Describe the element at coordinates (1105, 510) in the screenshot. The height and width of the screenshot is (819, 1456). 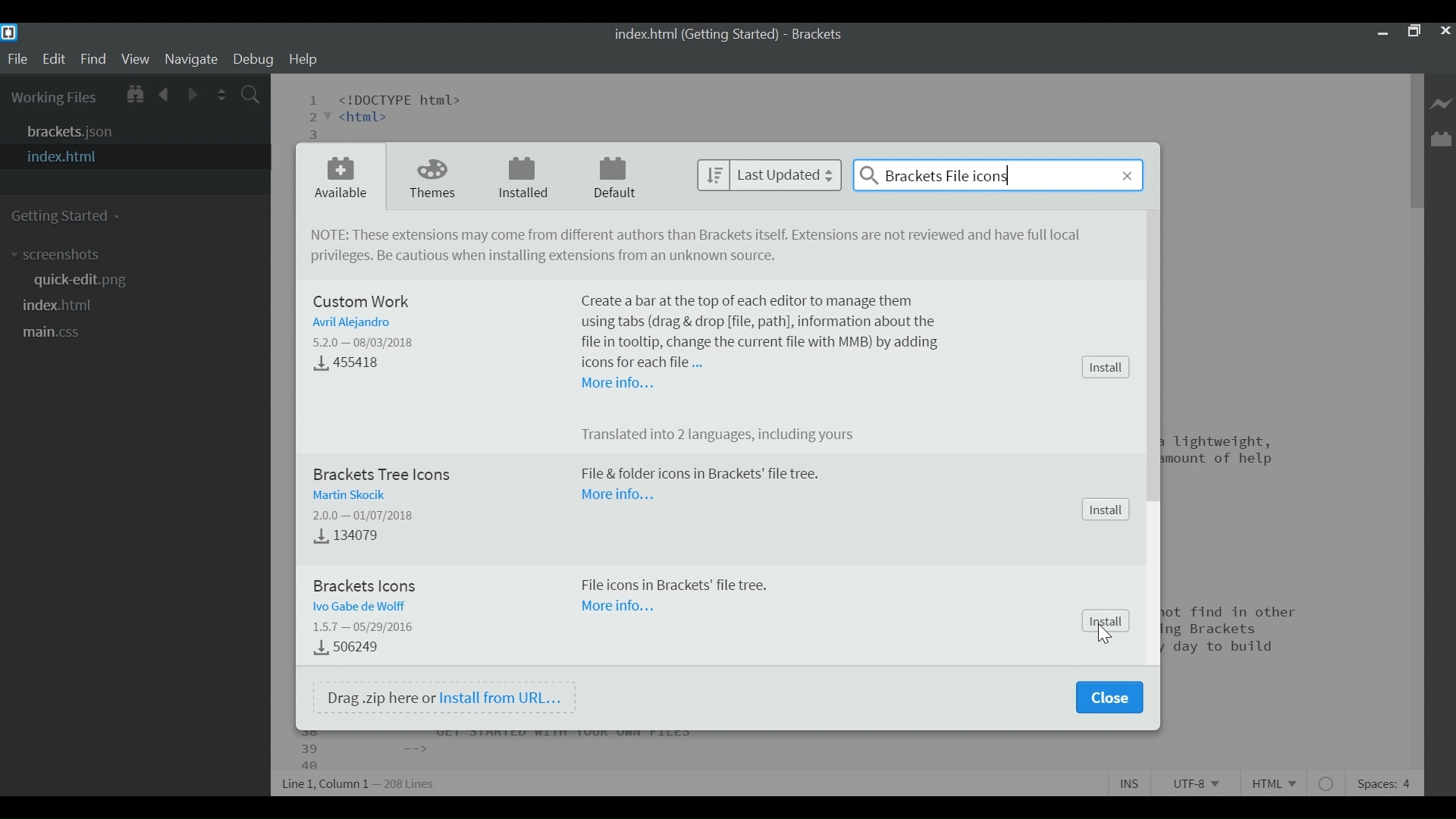
I see `Install` at that location.